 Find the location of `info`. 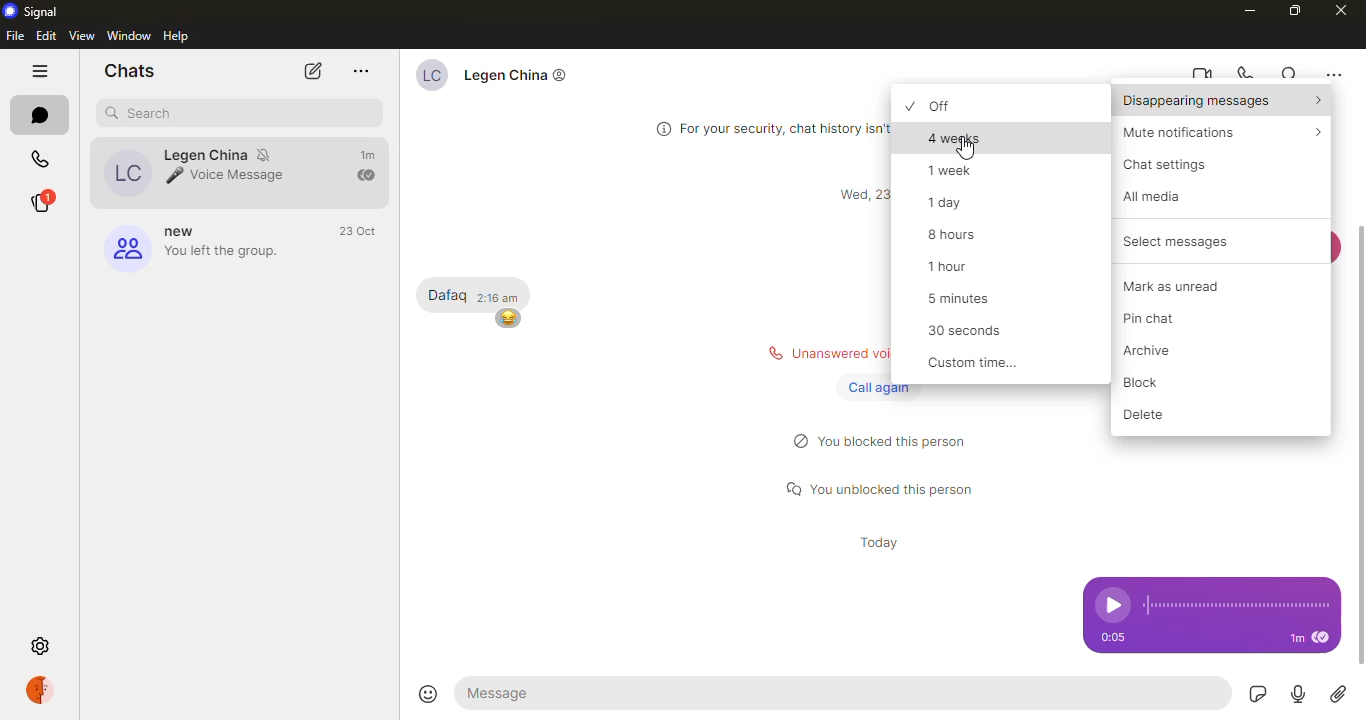

info is located at coordinates (765, 126).